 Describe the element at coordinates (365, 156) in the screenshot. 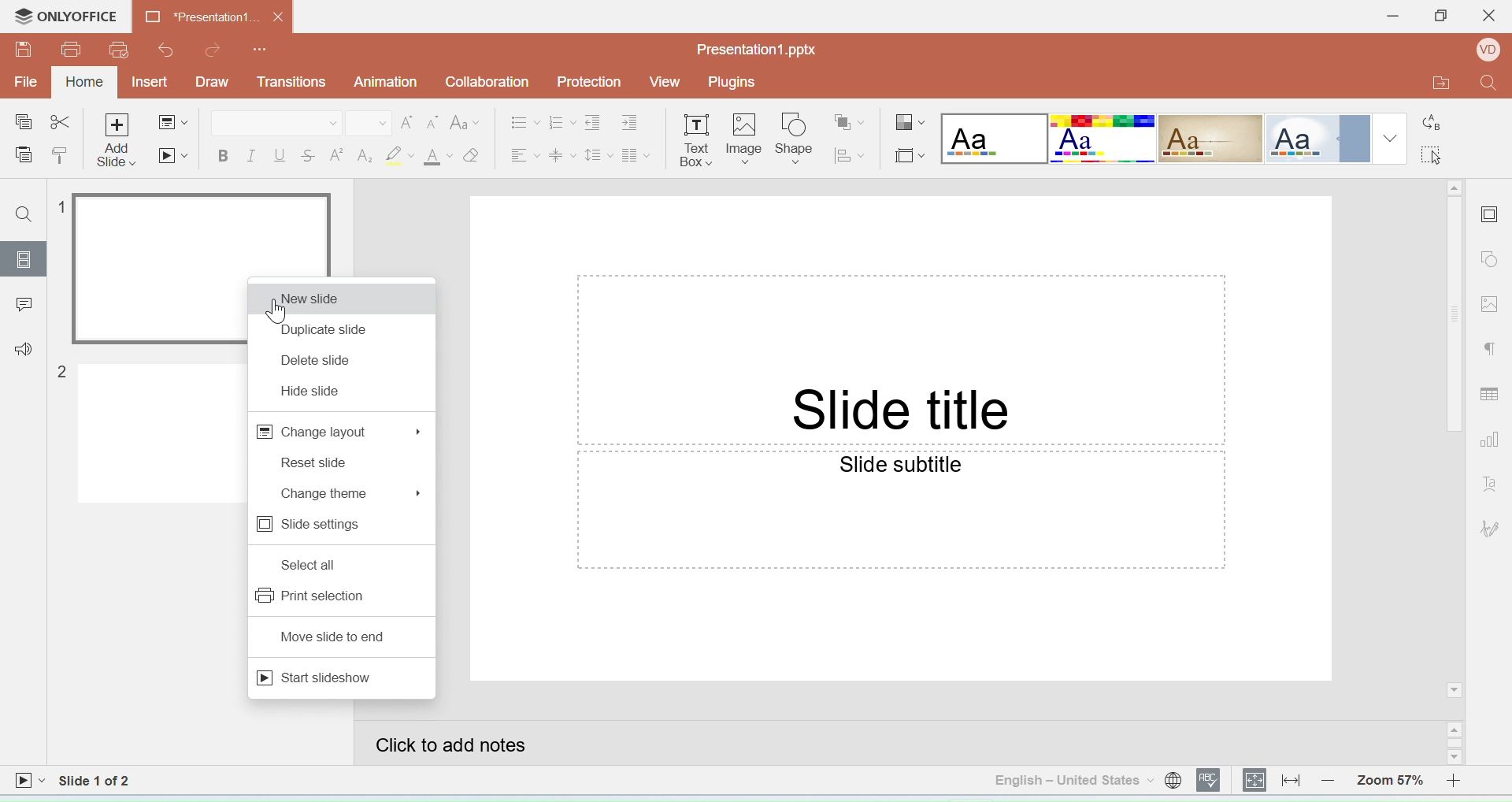

I see `Subscript` at that location.